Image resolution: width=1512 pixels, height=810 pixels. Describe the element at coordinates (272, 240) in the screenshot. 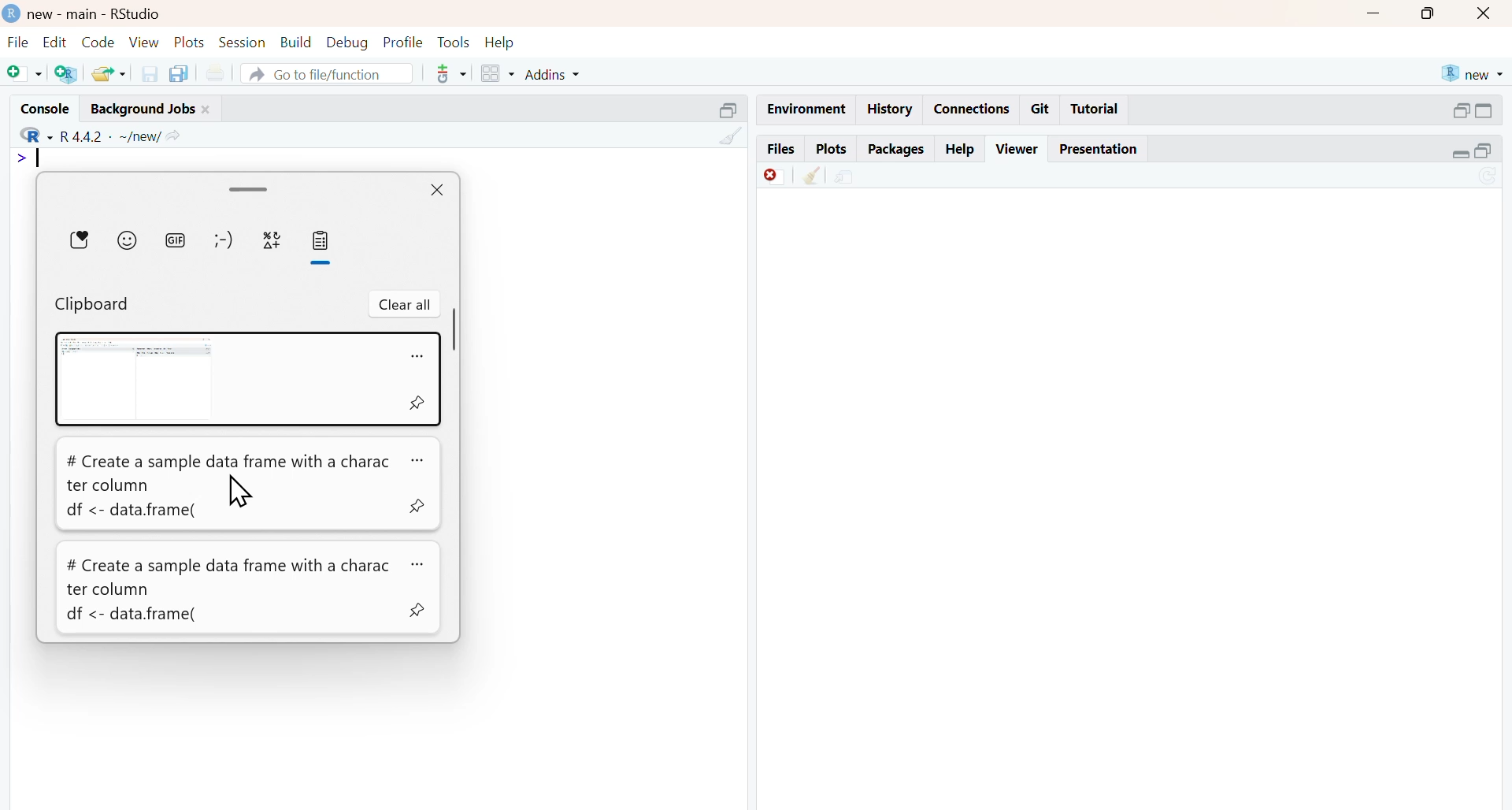

I see `symbols` at that location.